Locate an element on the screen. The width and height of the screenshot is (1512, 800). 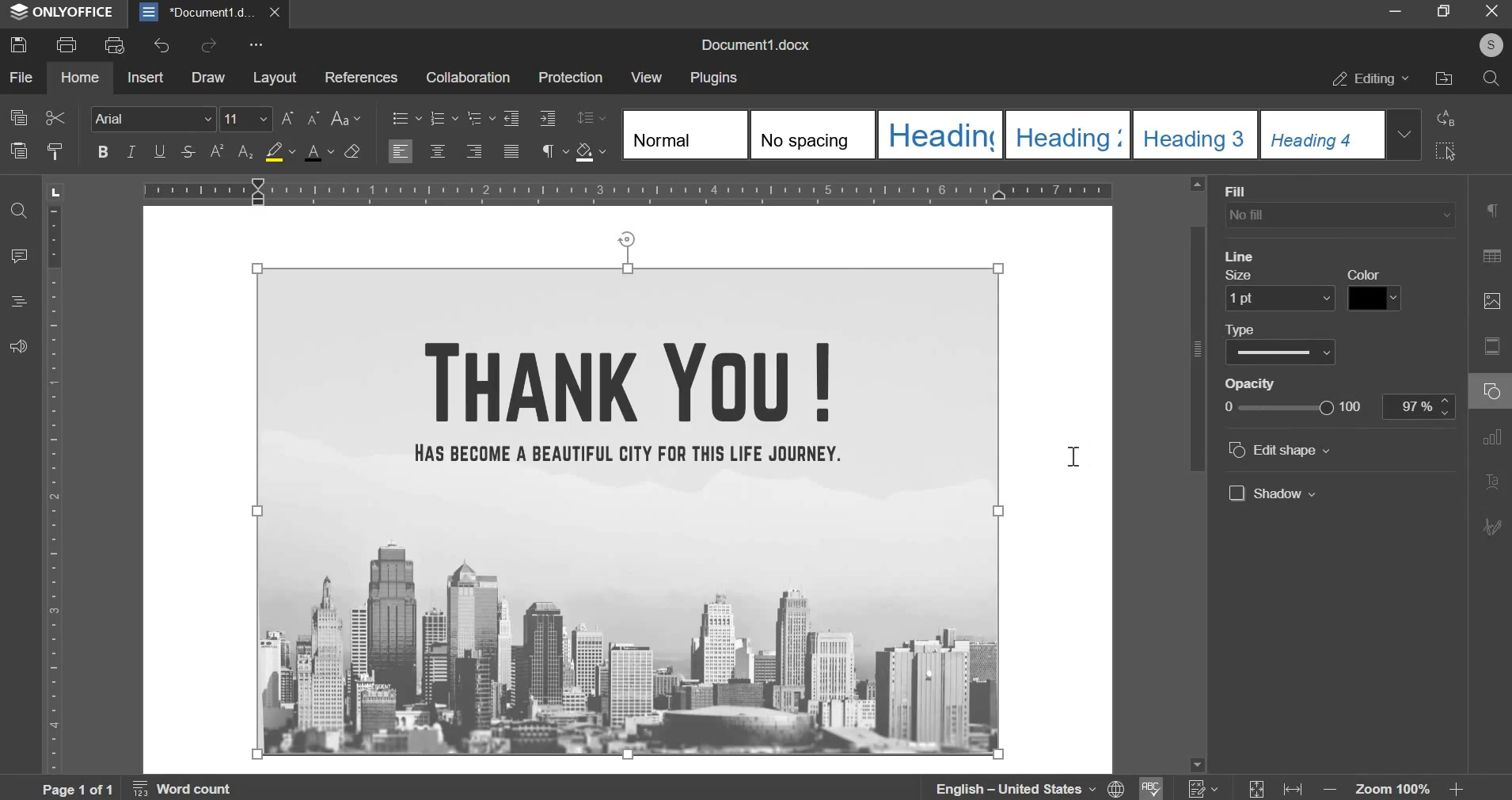
align center is located at coordinates (438, 150).